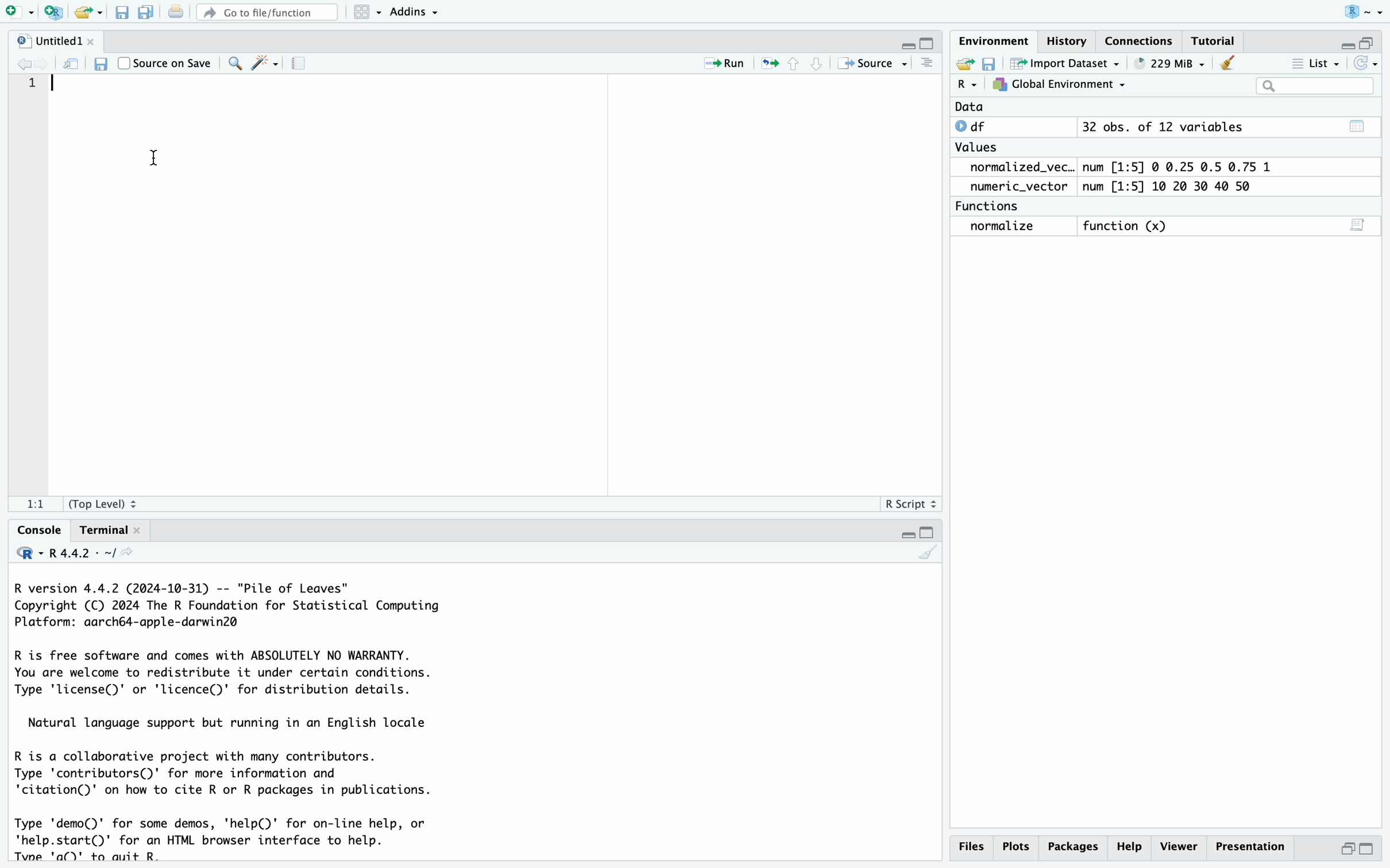  Describe the element at coordinates (908, 47) in the screenshot. I see `minimize` at that location.